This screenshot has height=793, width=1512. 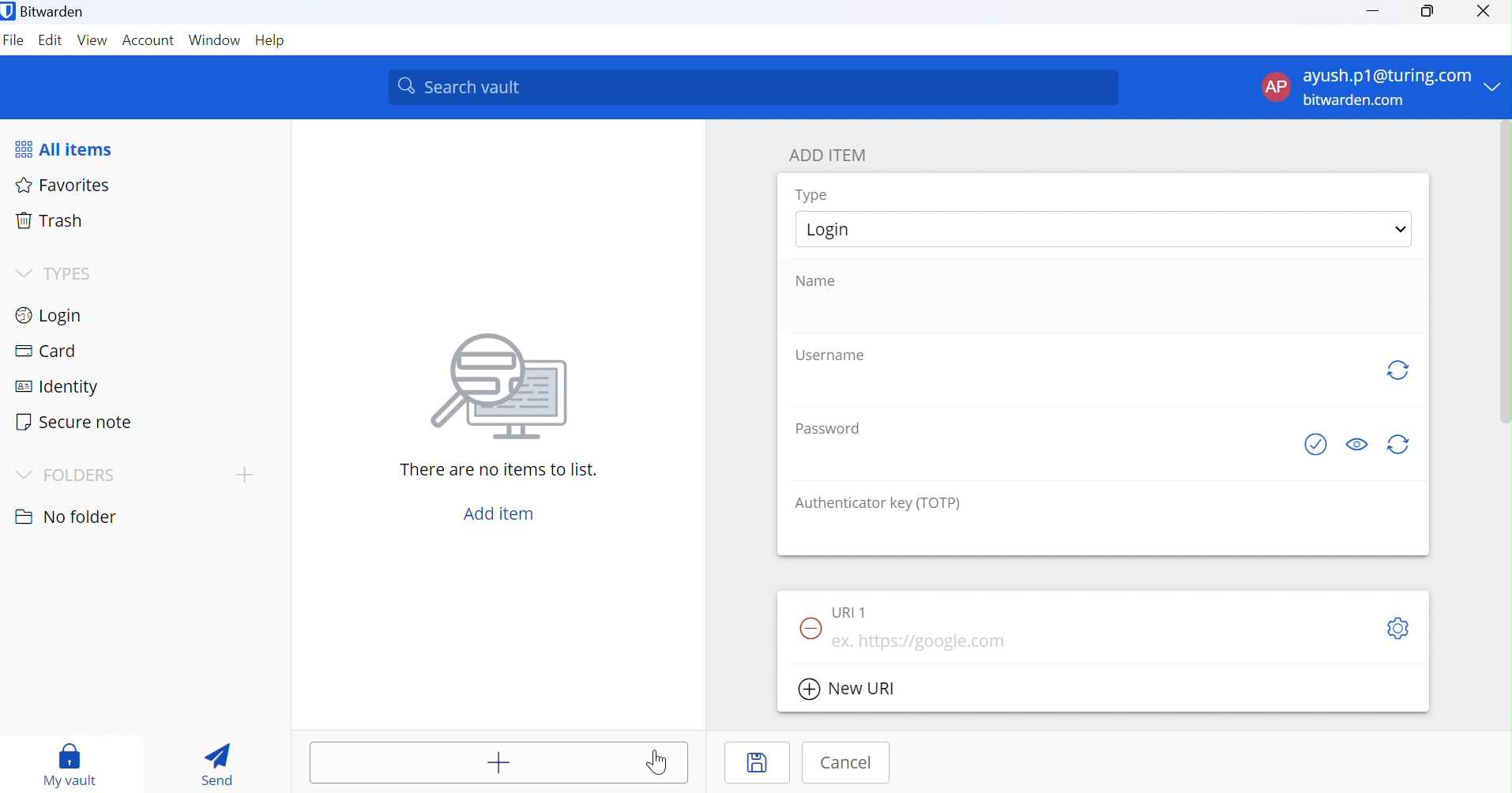 I want to click on Close, so click(x=1485, y=12).